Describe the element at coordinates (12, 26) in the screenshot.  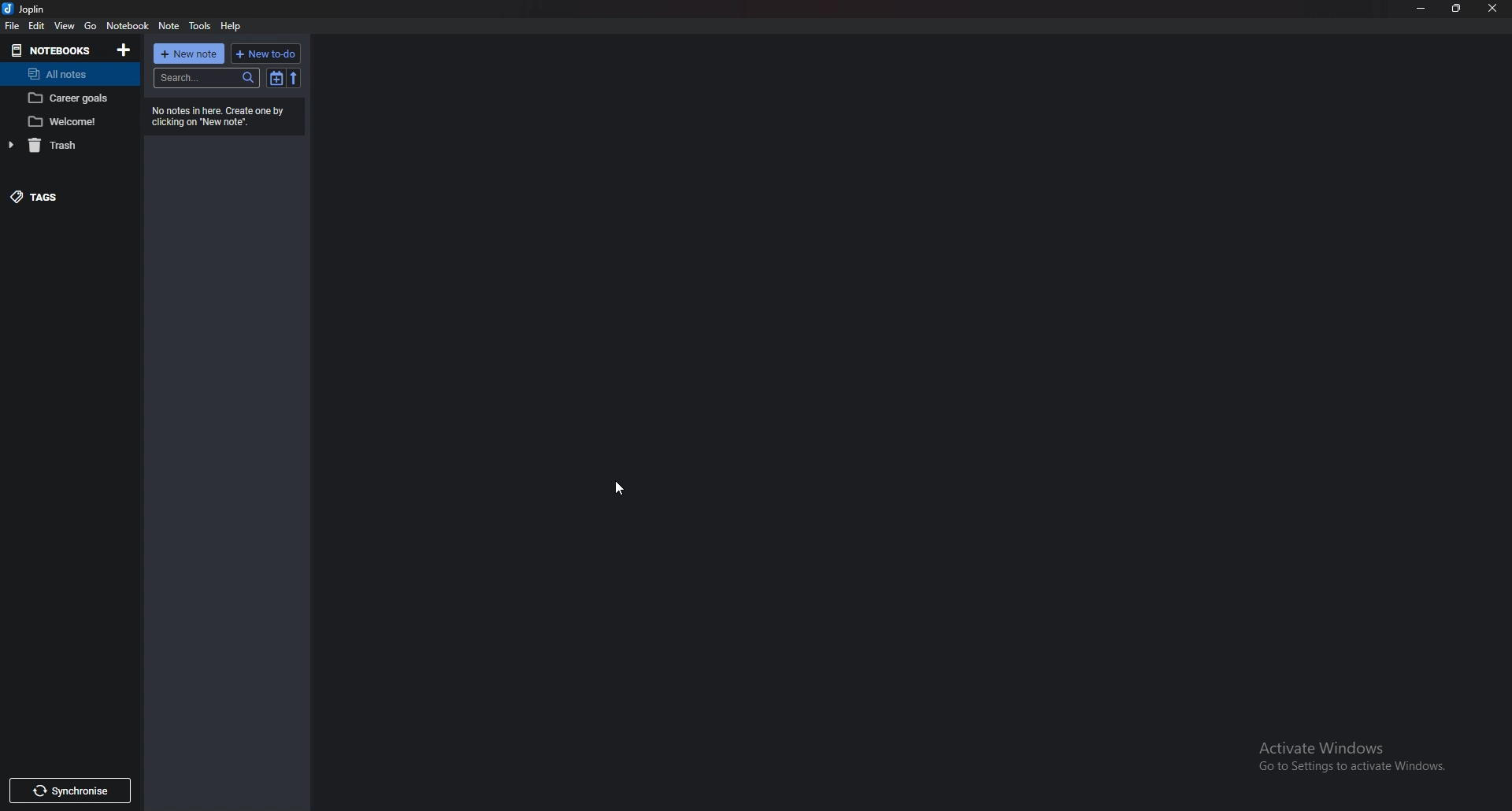
I see `file` at that location.